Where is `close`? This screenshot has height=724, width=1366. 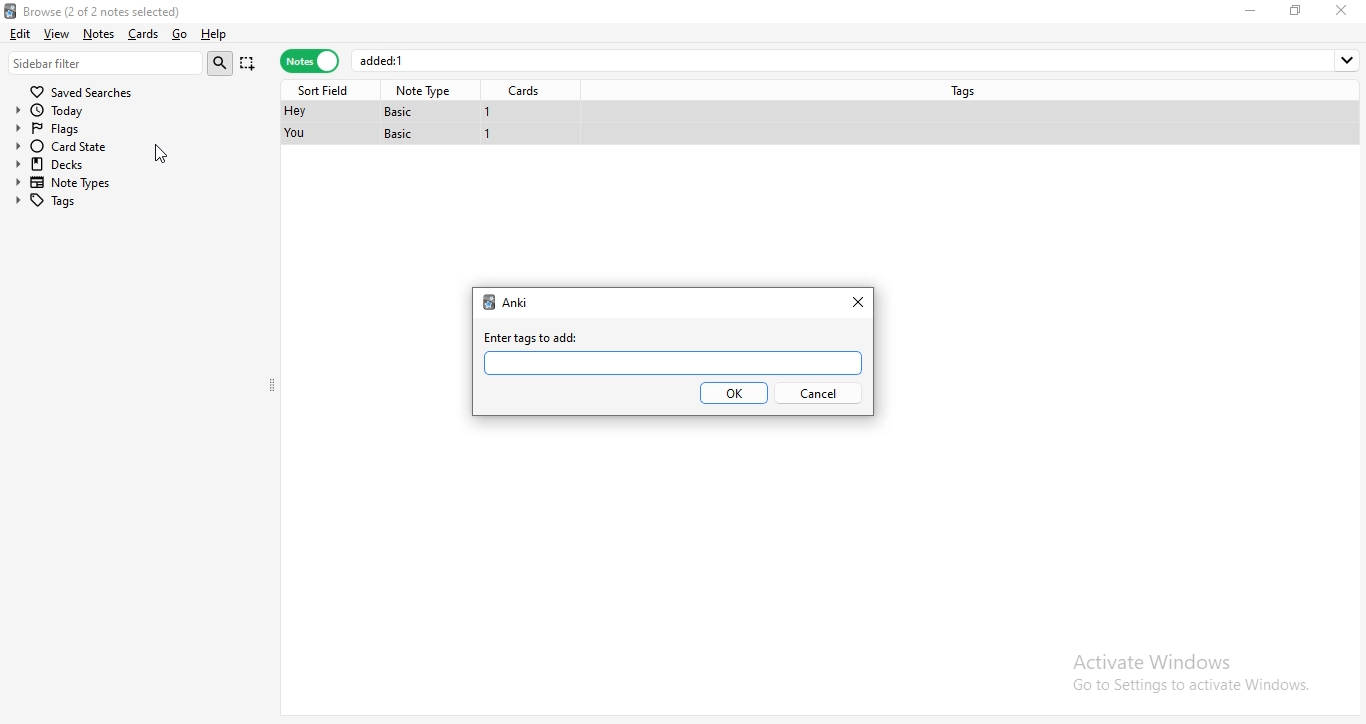 close is located at coordinates (861, 300).